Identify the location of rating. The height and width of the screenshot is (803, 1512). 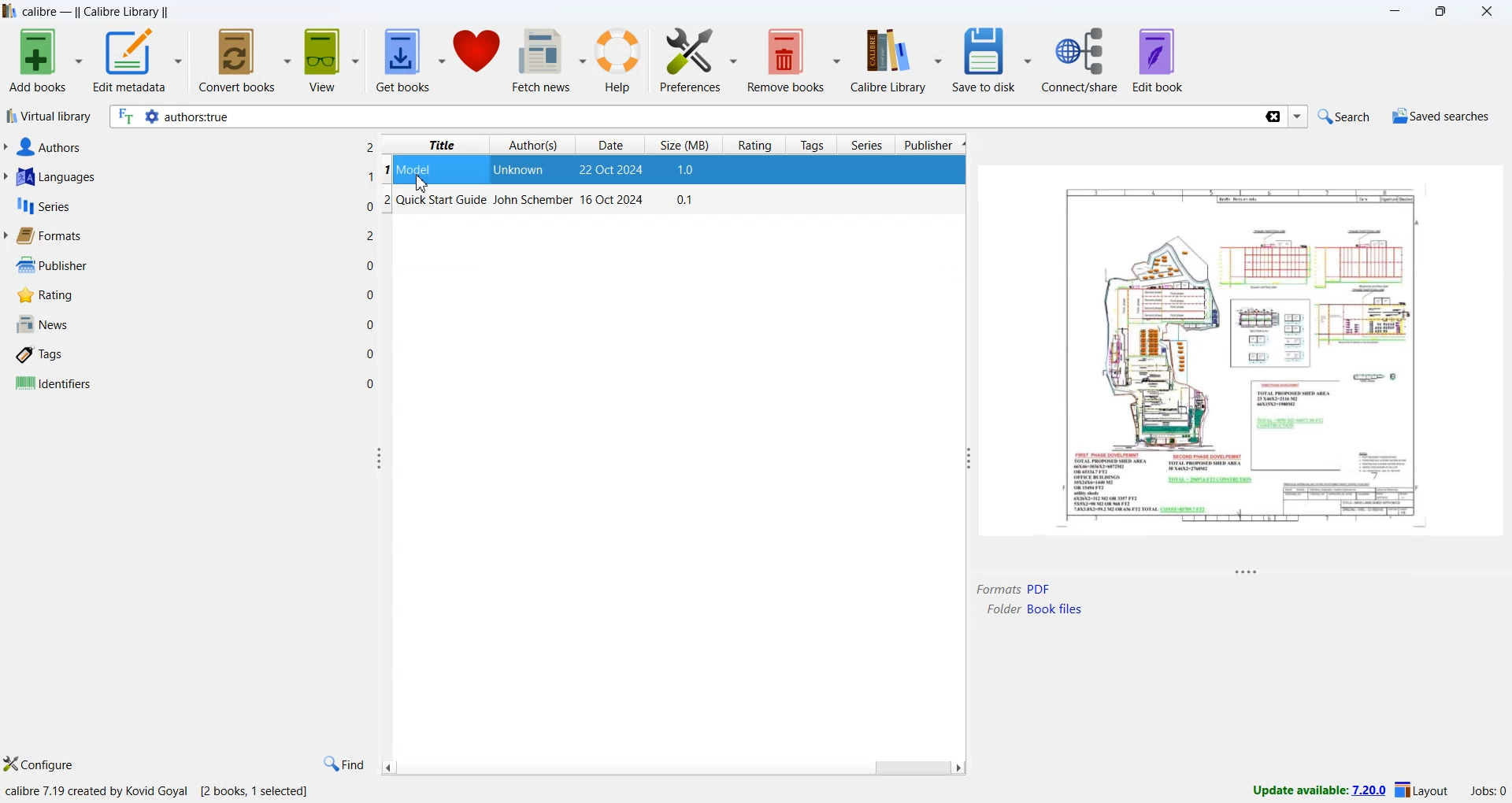
(42, 295).